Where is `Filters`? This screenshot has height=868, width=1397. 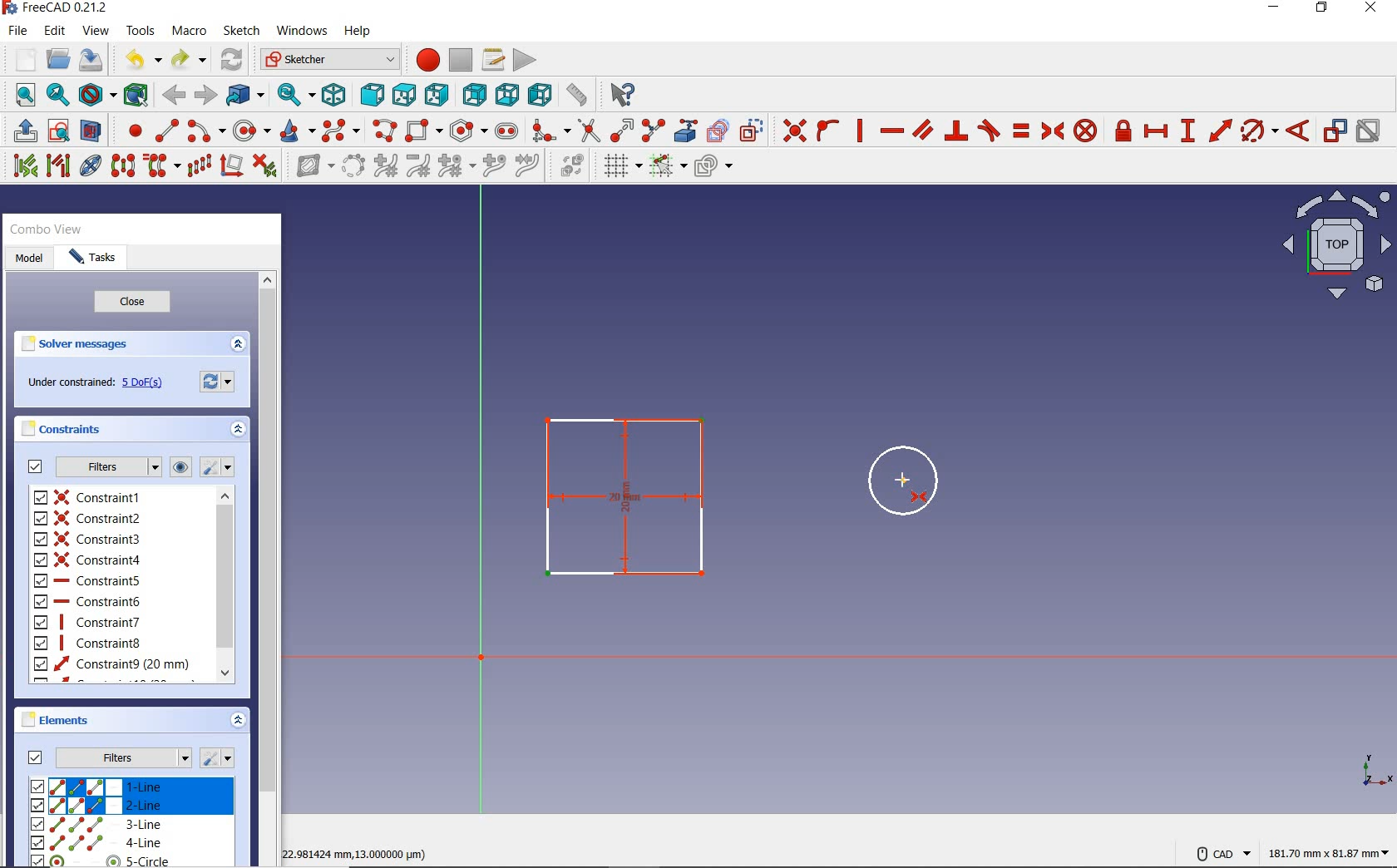
Filters is located at coordinates (128, 756).